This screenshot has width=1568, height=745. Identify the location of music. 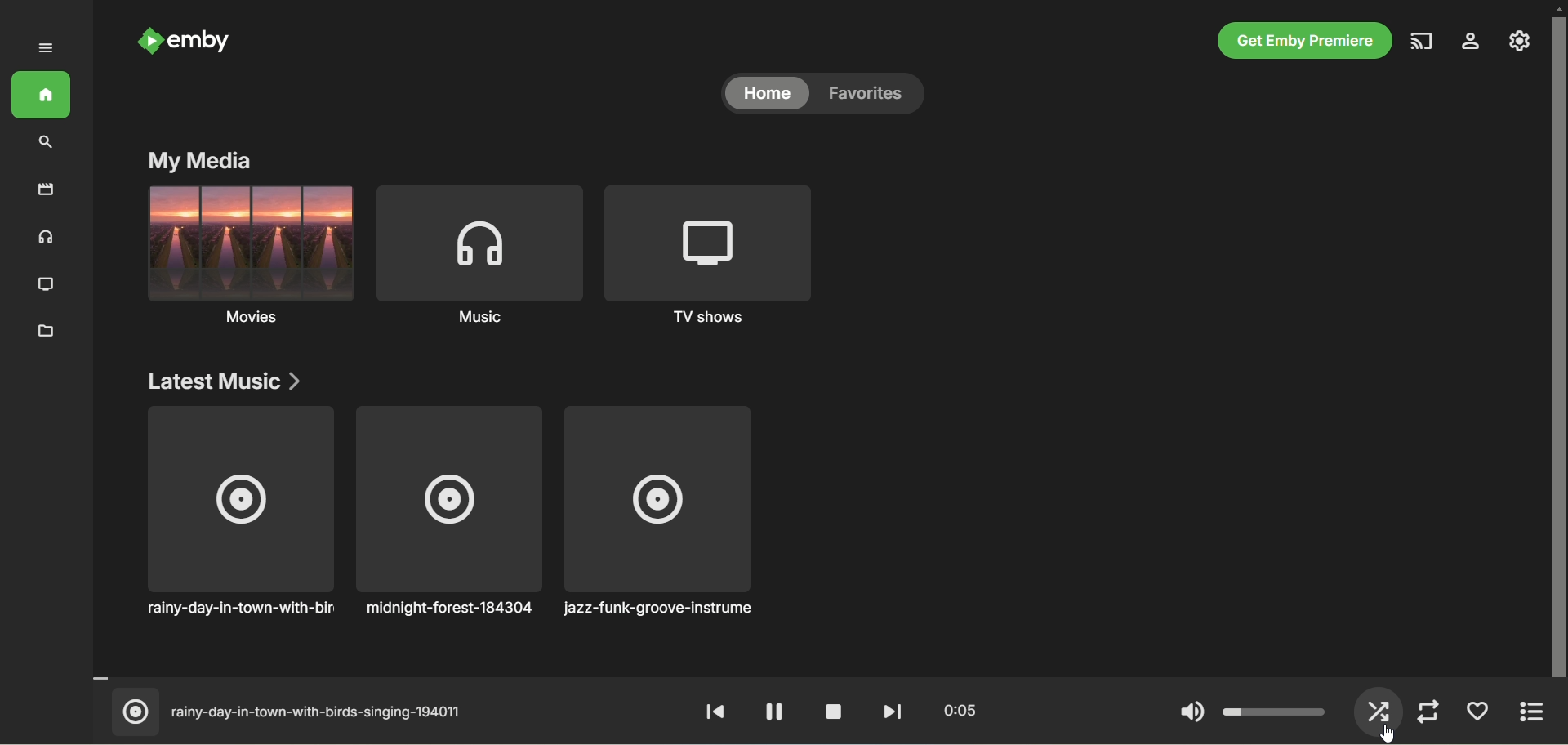
(47, 238).